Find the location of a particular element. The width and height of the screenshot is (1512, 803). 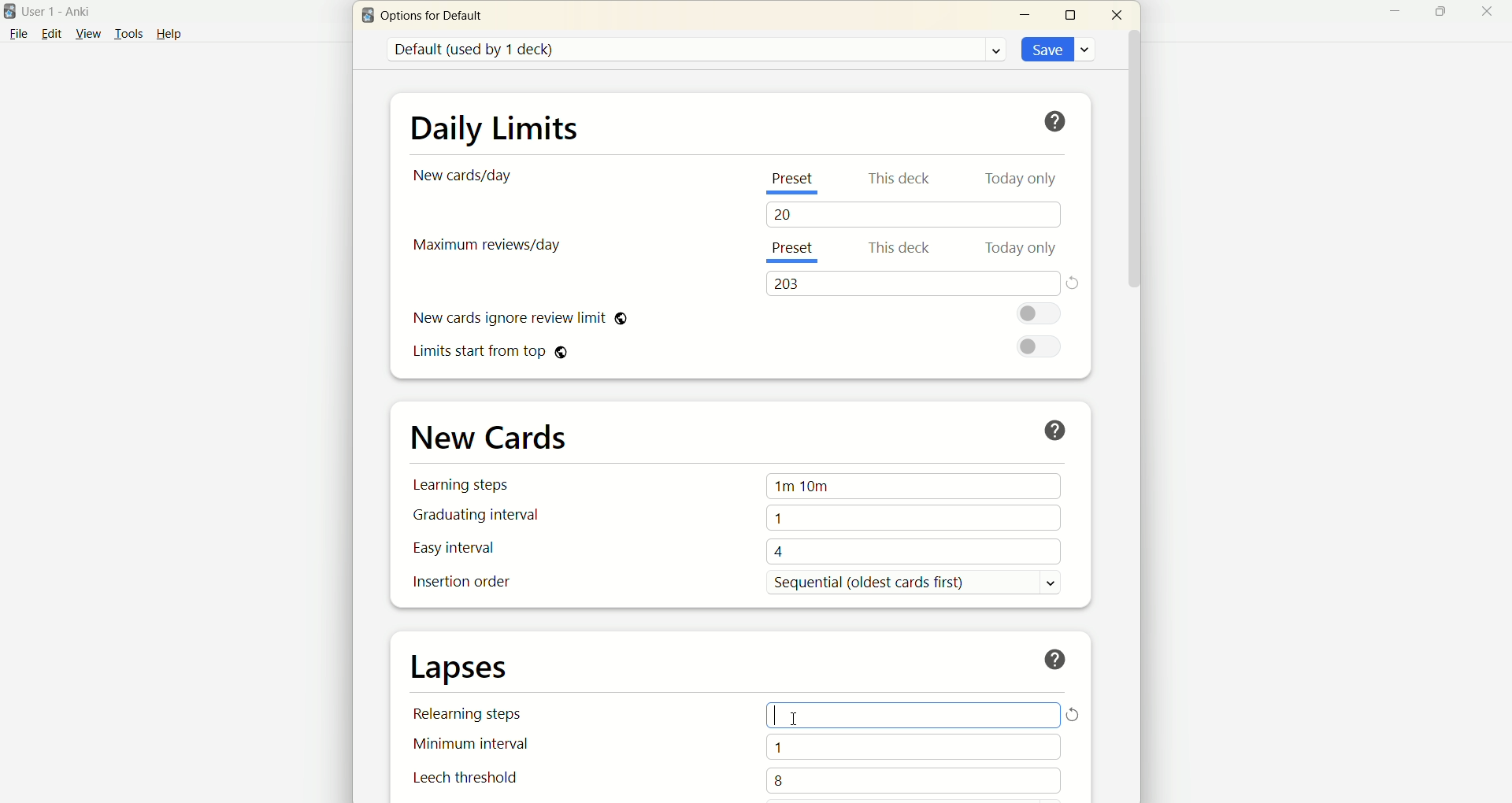

tools is located at coordinates (128, 34).